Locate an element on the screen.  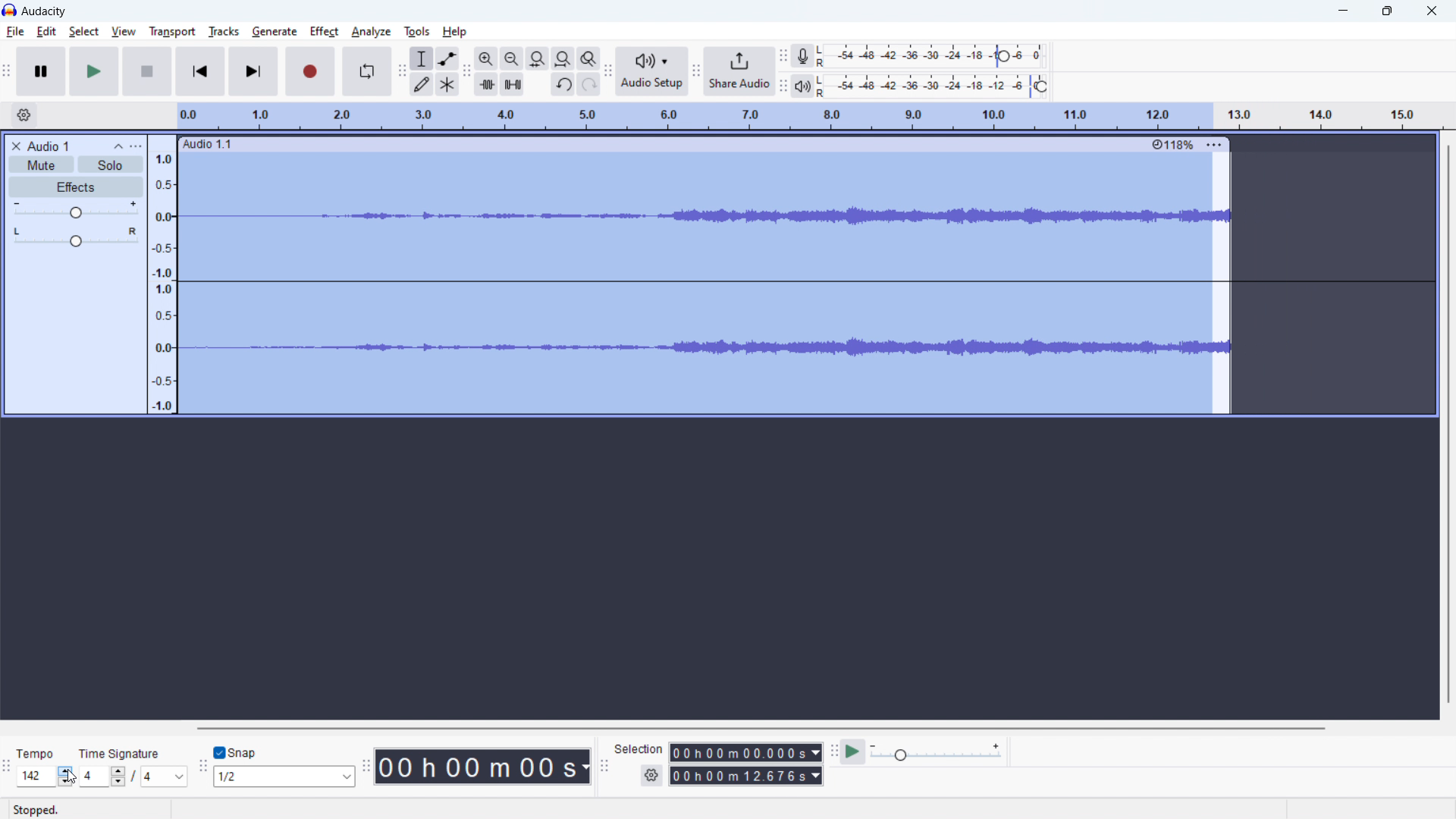
Time signature is located at coordinates (123, 753).